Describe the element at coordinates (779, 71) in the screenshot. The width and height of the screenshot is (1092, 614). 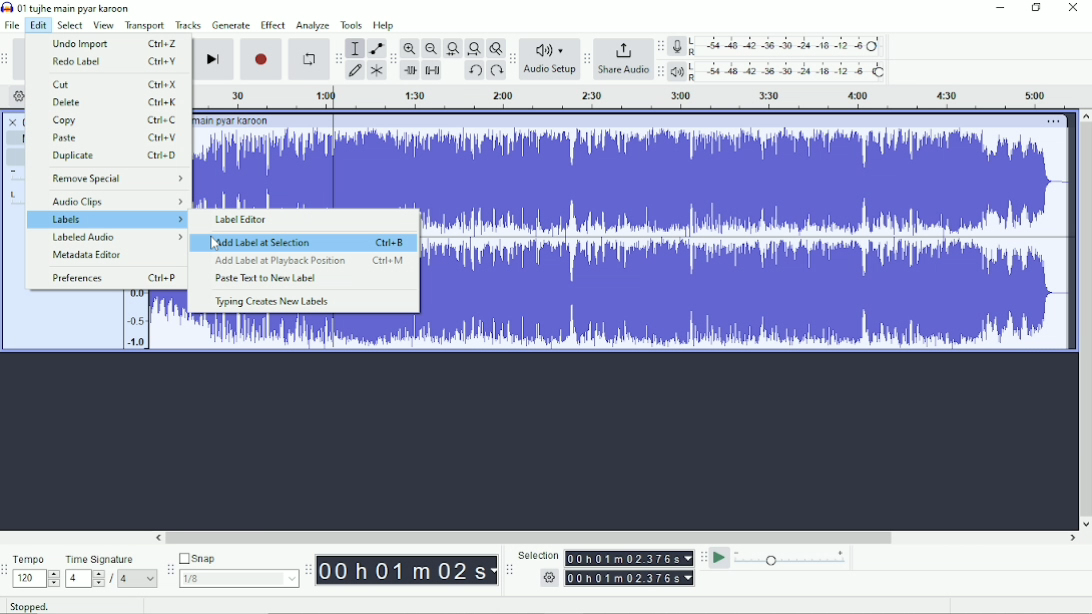
I see `Playback meter` at that location.